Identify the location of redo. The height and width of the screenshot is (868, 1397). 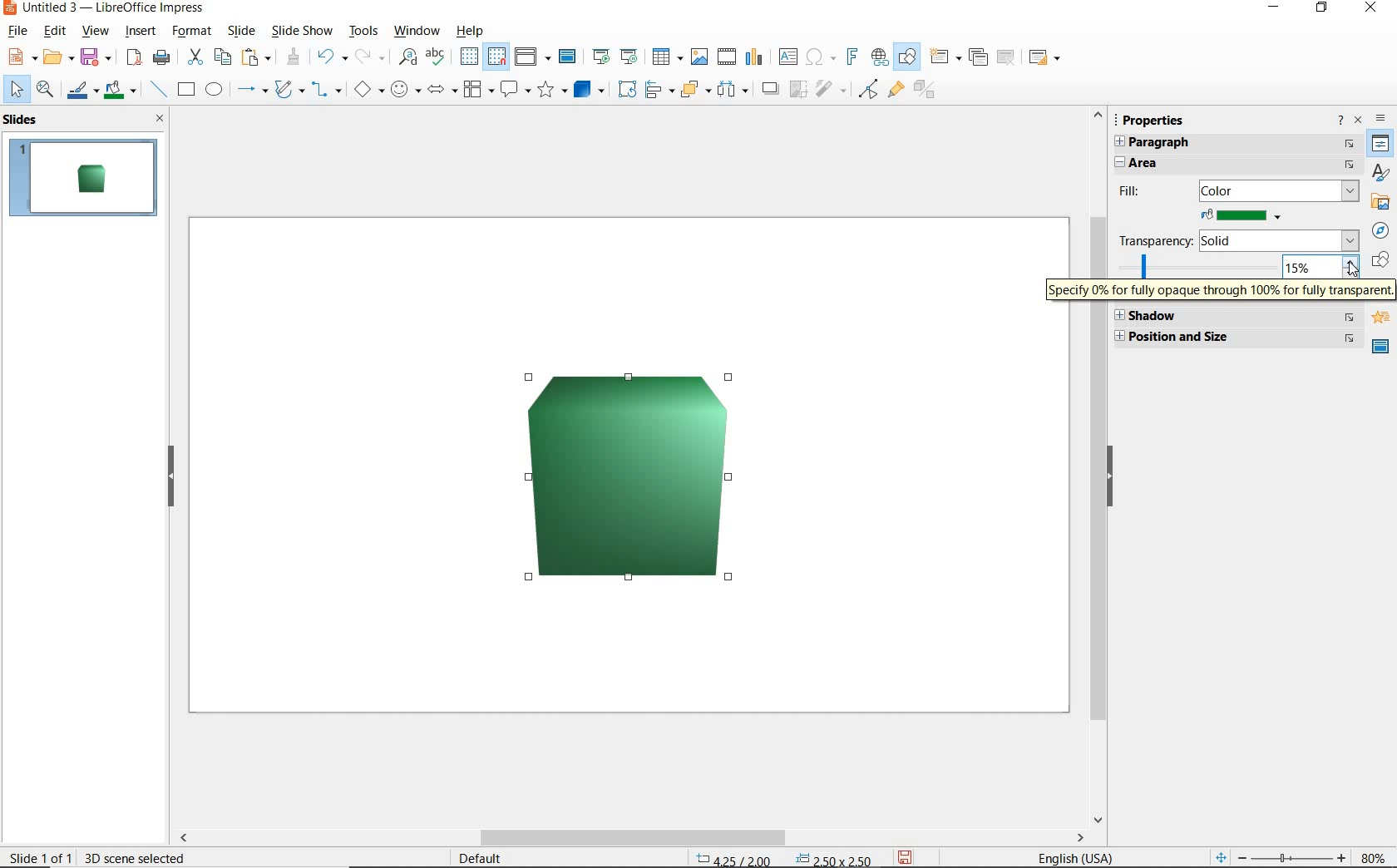
(371, 57).